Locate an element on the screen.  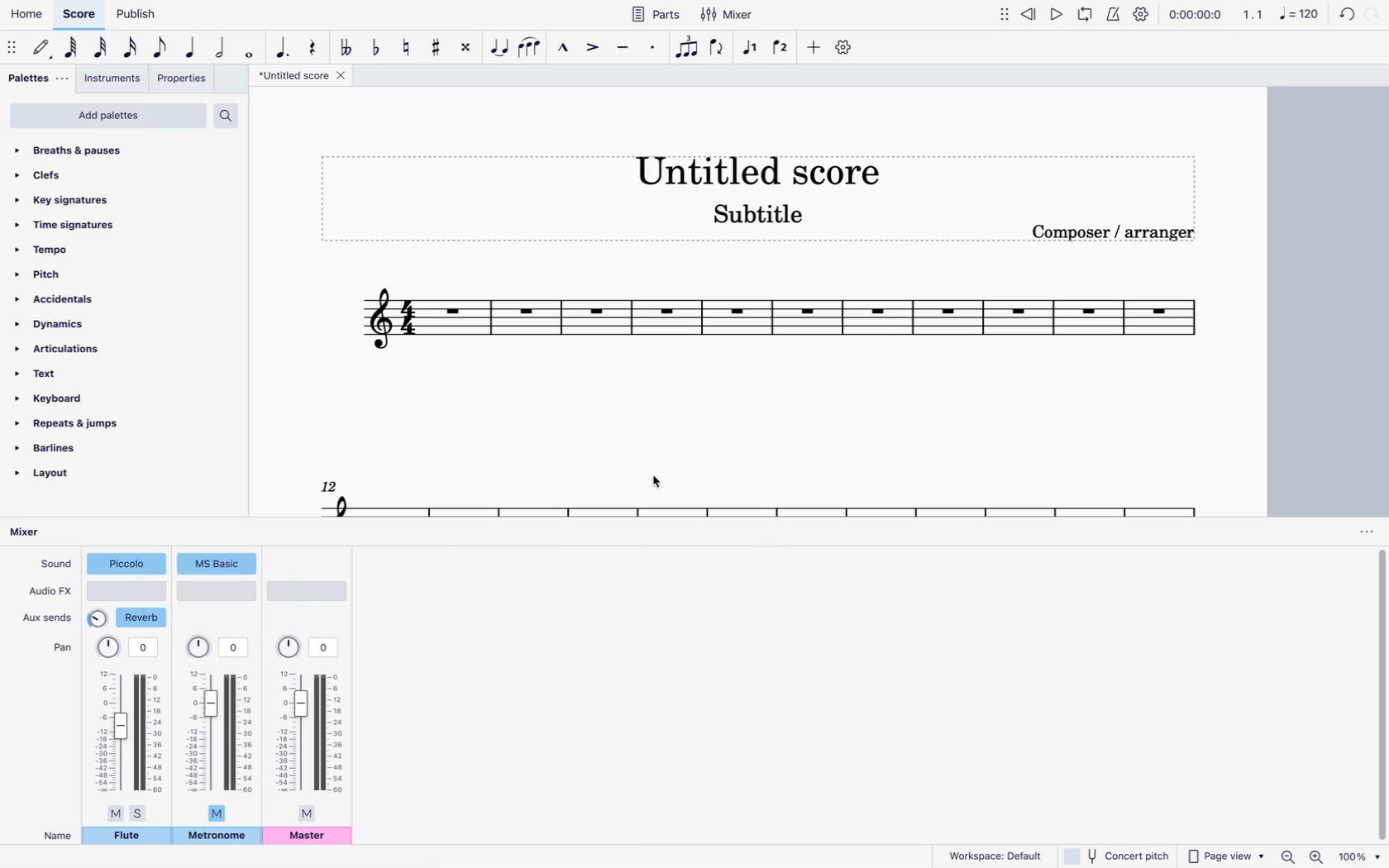
breaths & pauses is located at coordinates (93, 150).